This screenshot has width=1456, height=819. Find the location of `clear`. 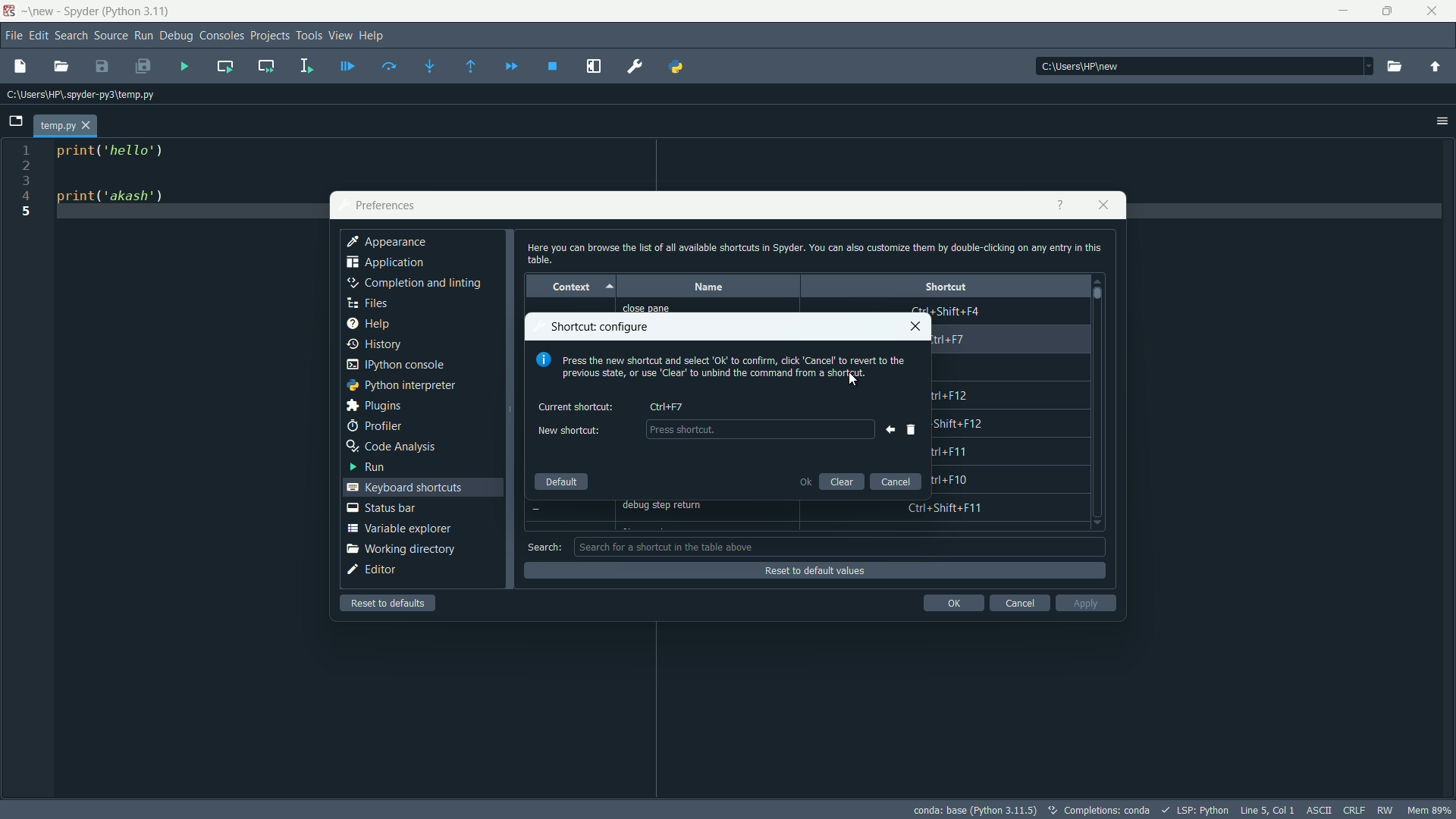

clear is located at coordinates (843, 481).